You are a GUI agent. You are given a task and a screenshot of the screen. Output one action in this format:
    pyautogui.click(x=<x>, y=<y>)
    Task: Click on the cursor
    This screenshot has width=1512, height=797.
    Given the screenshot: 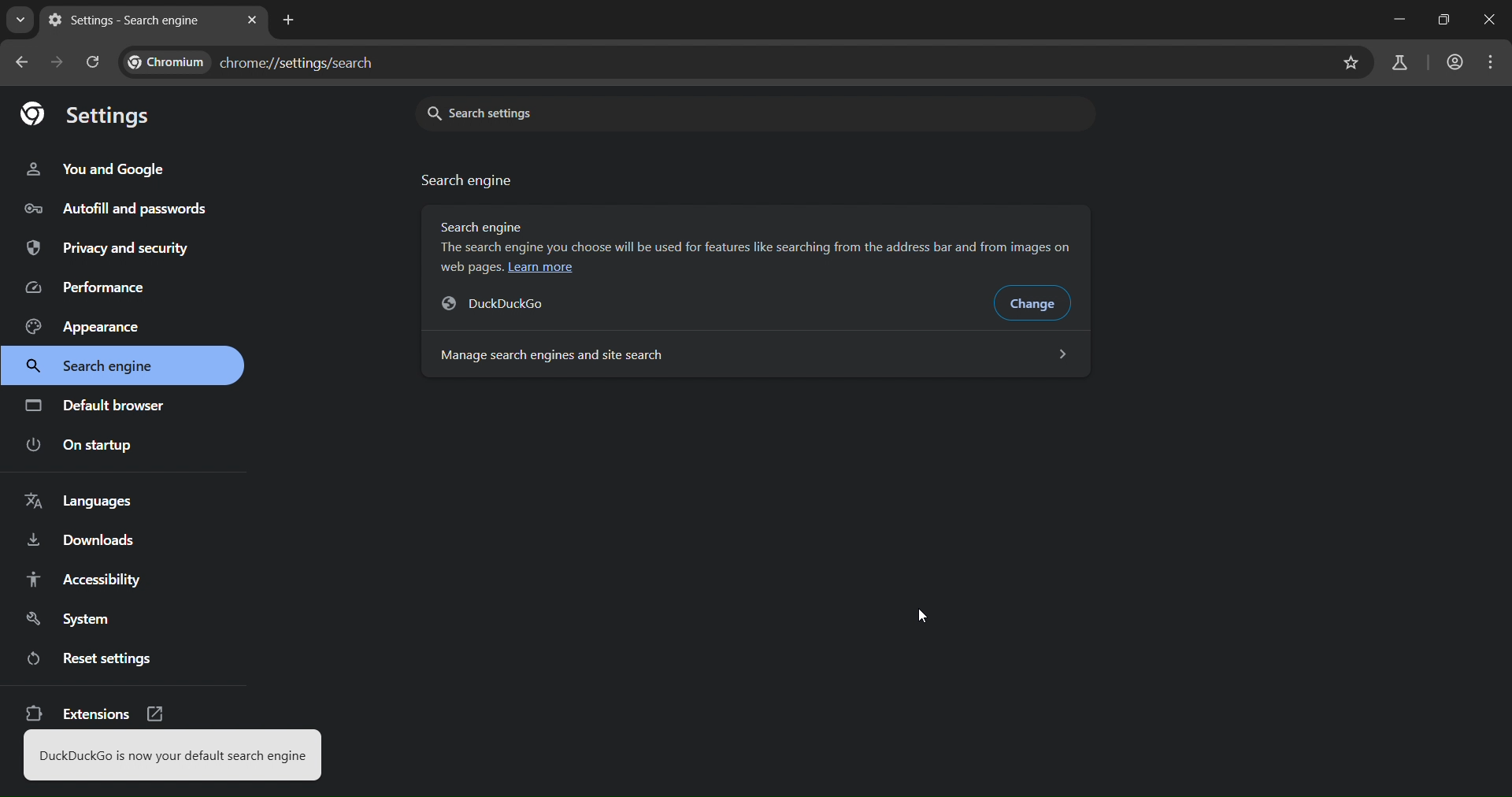 What is the action you would take?
    pyautogui.click(x=923, y=615)
    